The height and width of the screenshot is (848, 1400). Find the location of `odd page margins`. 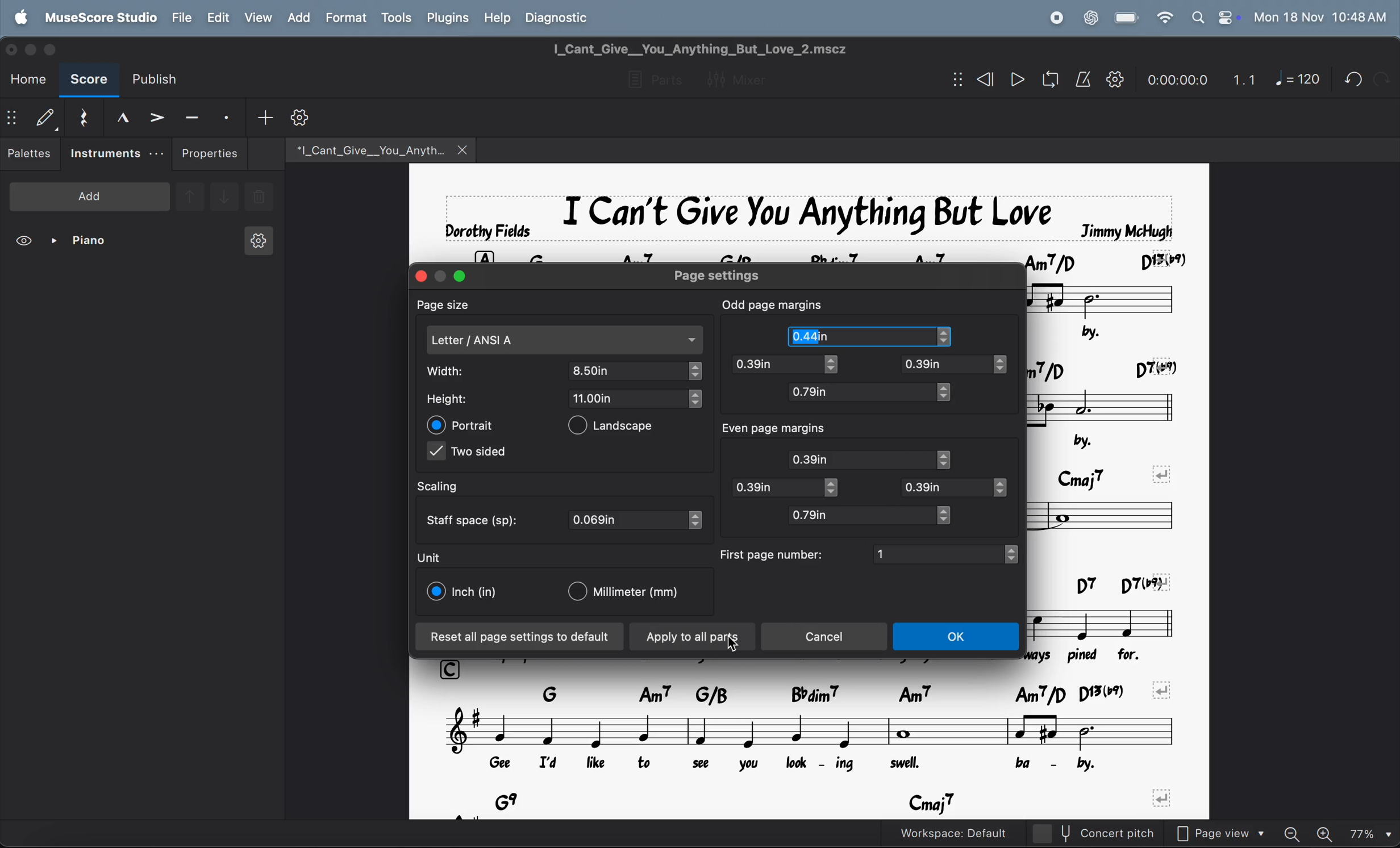

odd page margins is located at coordinates (773, 303).